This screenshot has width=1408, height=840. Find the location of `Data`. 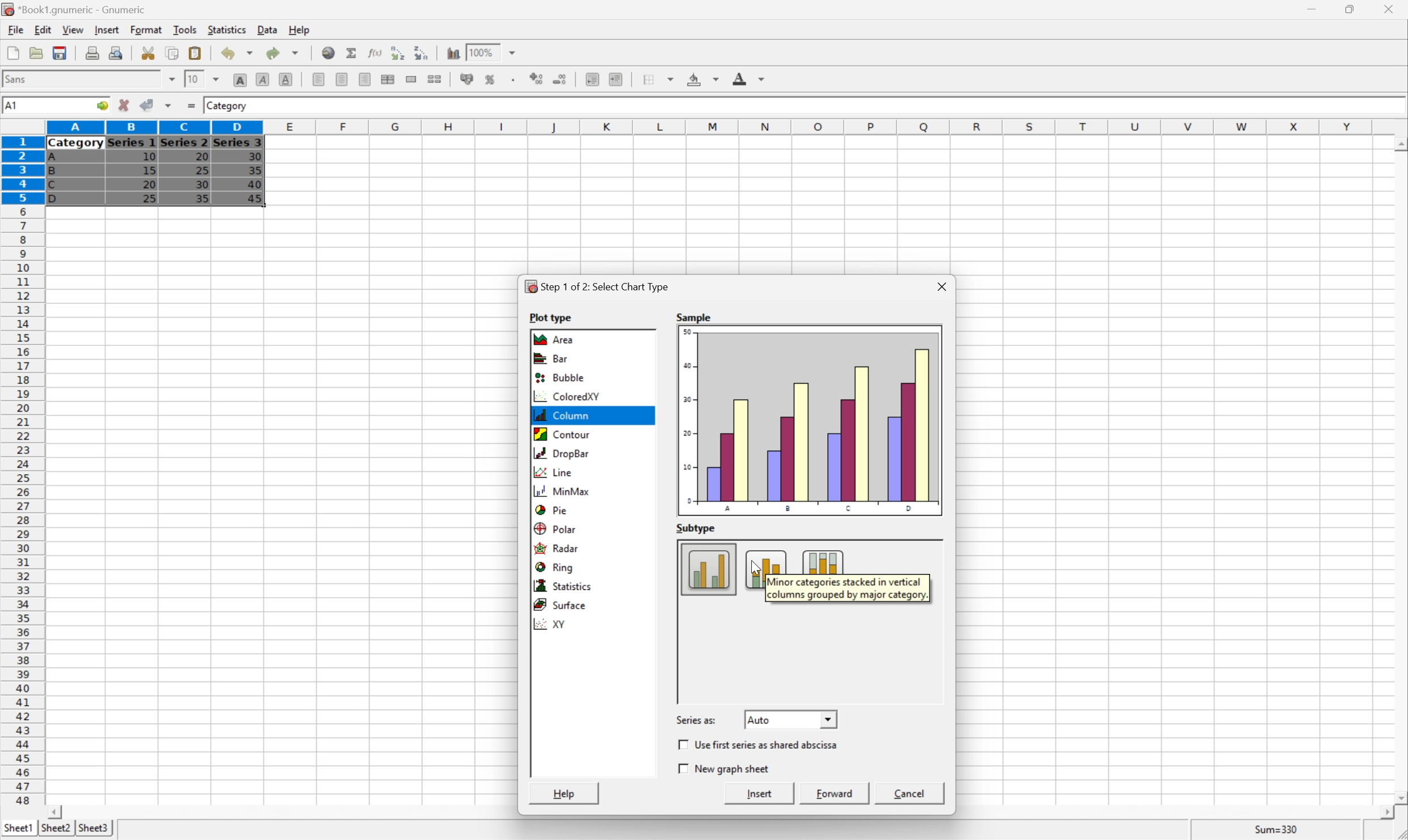

Data is located at coordinates (268, 28).